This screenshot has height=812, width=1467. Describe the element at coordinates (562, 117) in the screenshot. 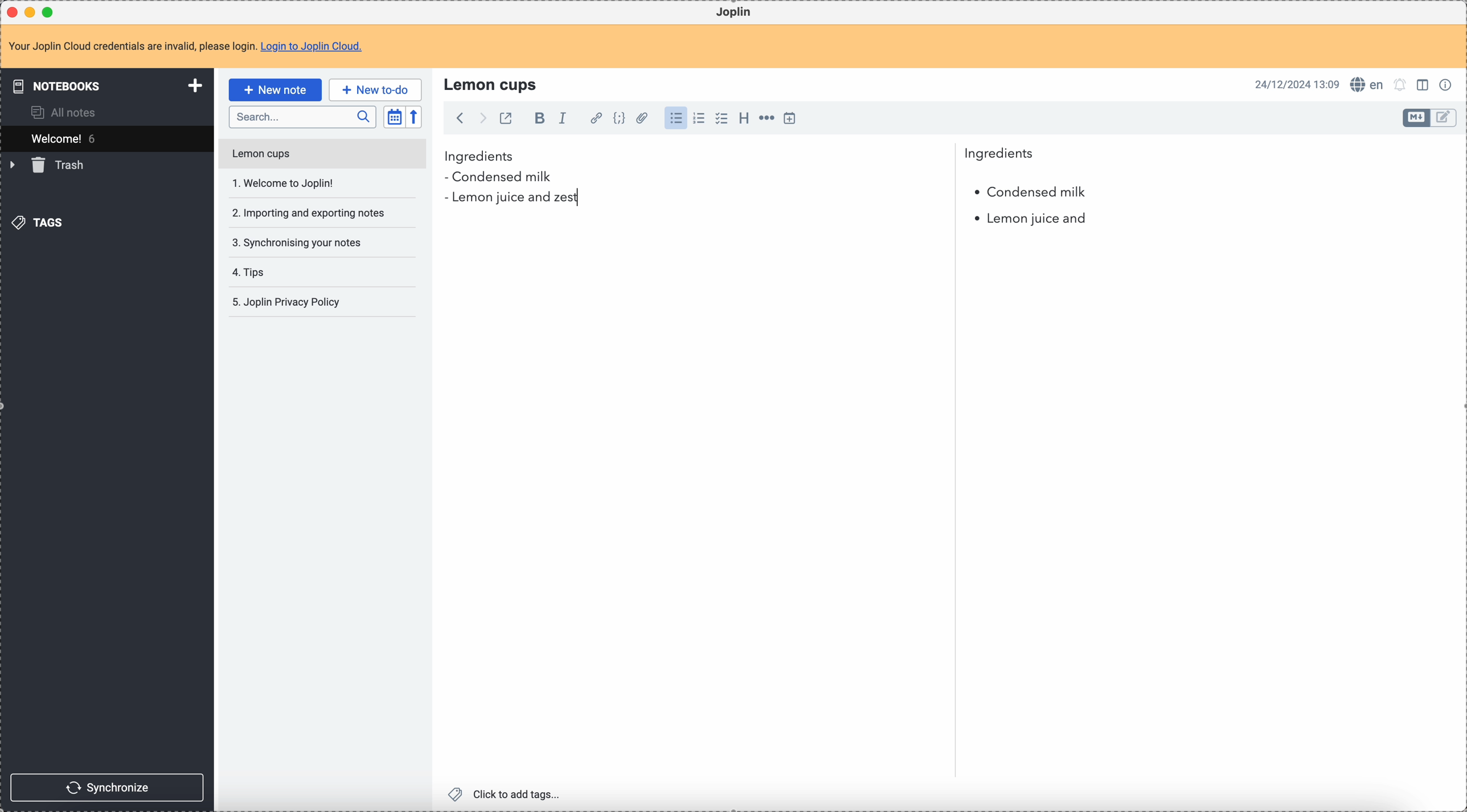

I see `italic` at that location.